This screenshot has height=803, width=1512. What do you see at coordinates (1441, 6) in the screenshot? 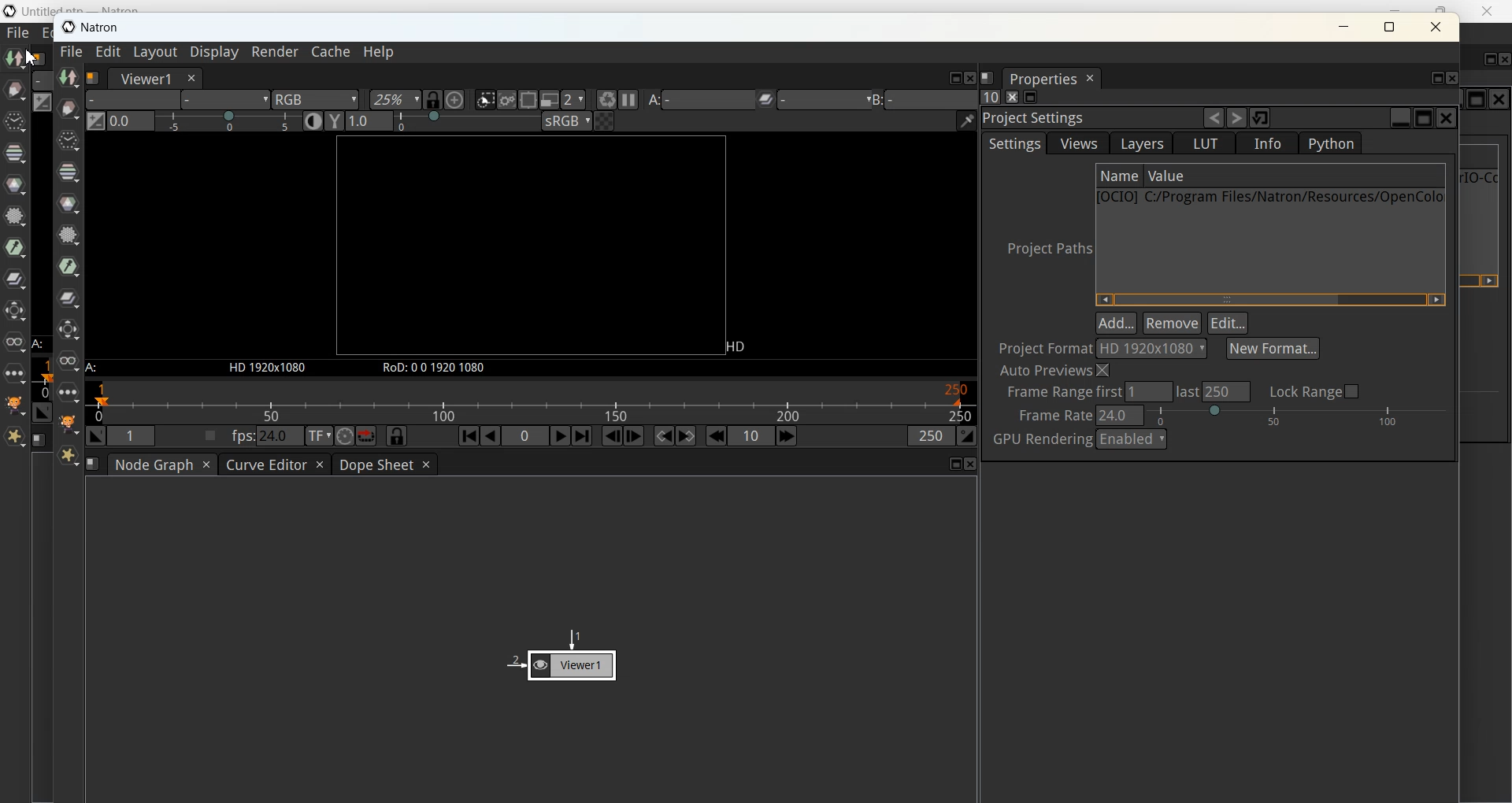
I see `Maximize` at bounding box center [1441, 6].